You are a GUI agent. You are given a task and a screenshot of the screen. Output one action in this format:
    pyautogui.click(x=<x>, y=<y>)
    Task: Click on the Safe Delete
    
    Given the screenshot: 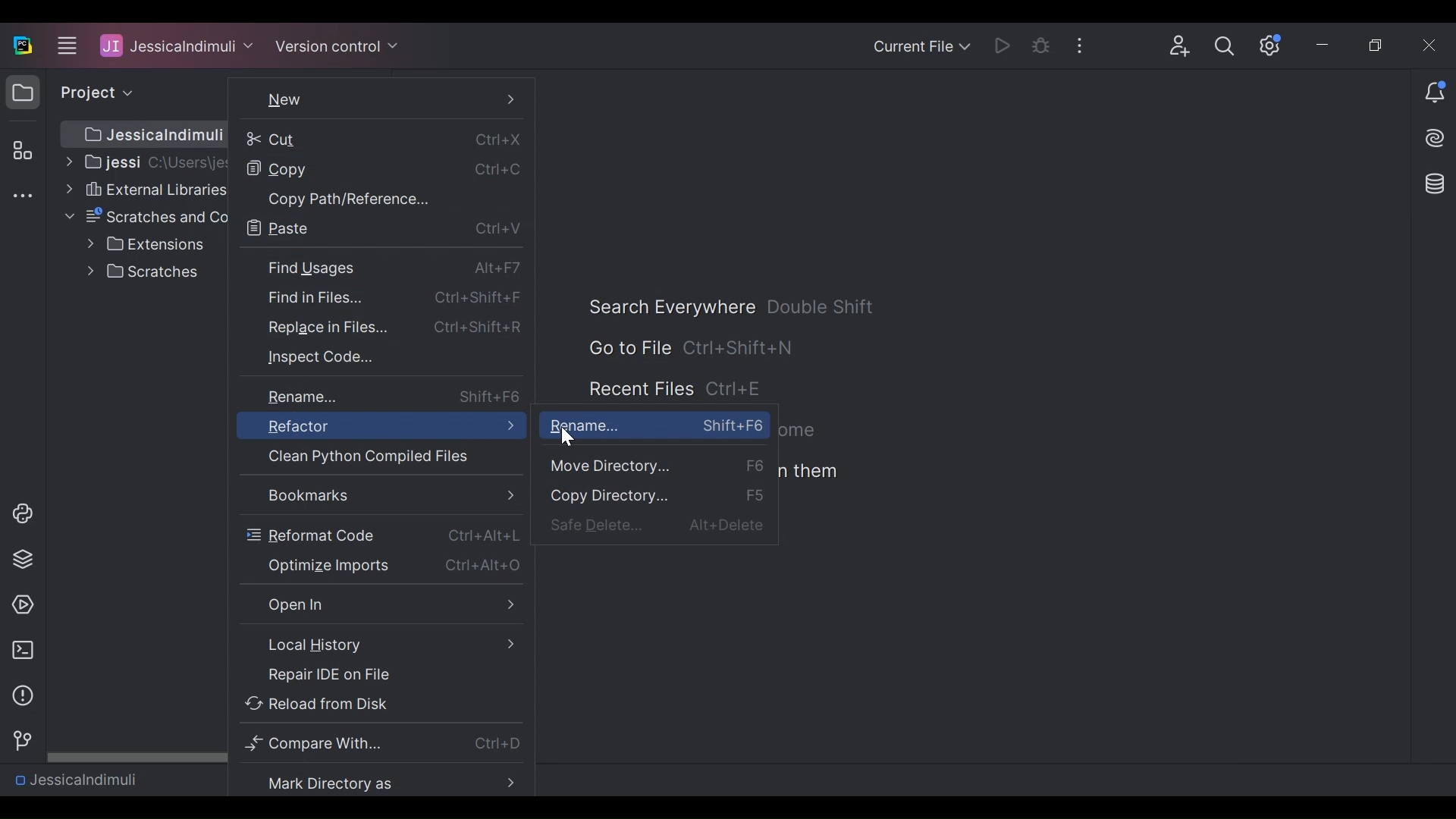 What is the action you would take?
    pyautogui.click(x=661, y=526)
    